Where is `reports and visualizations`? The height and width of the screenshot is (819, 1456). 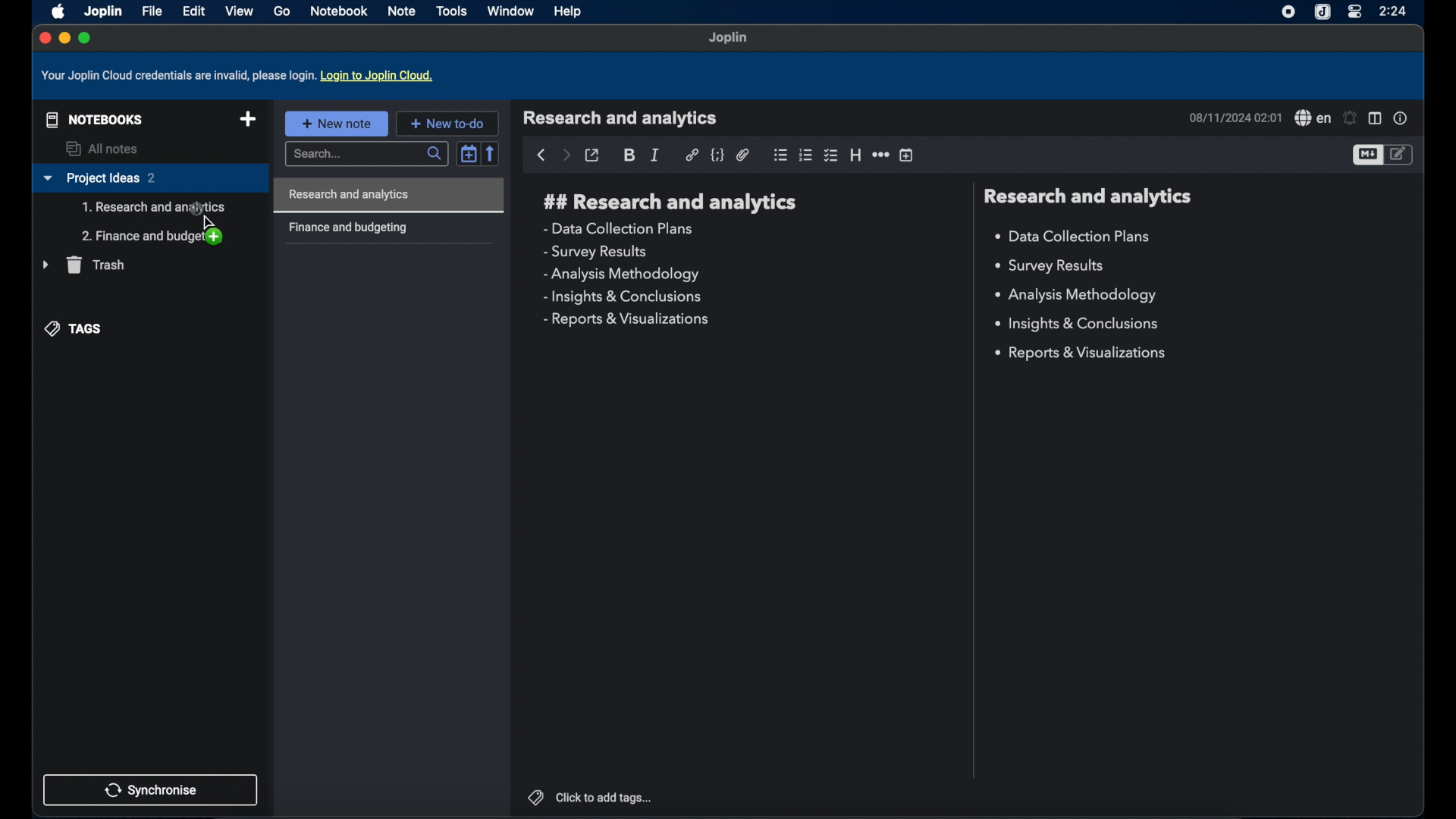
reports and visualizations is located at coordinates (625, 320).